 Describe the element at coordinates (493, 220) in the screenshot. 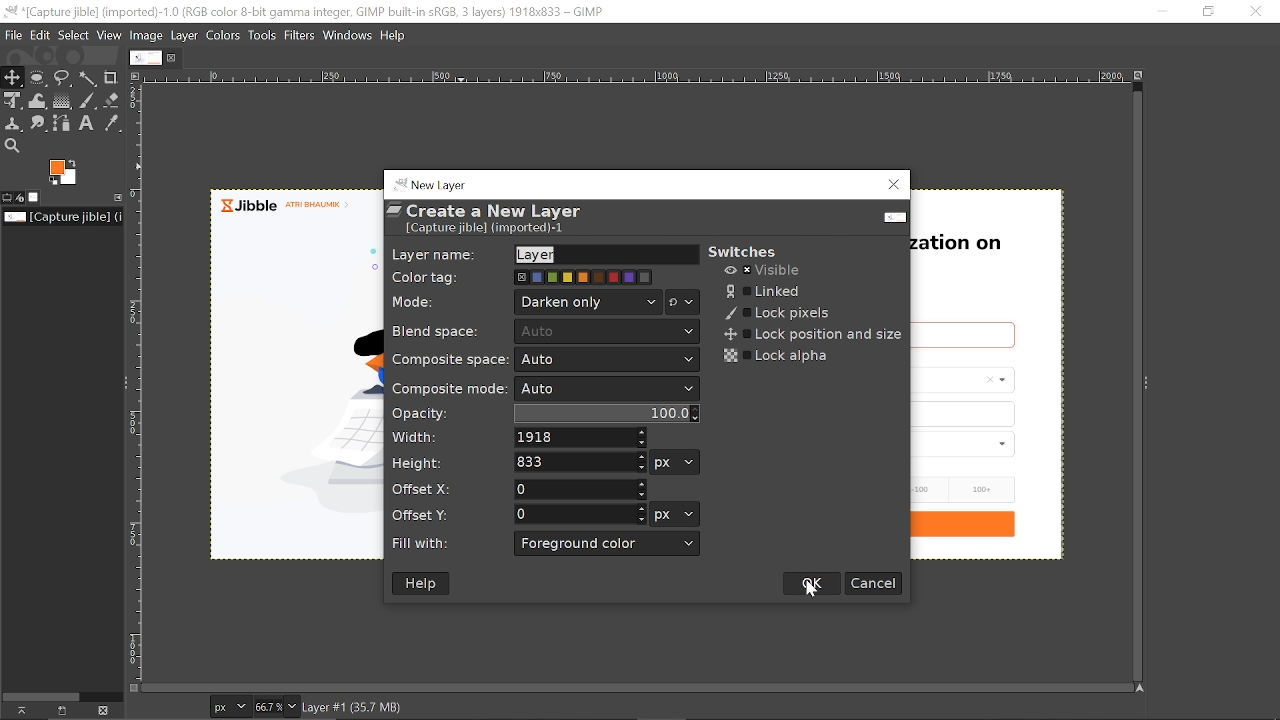

I see `create a New LayerCapture jible] (imported)-1` at that location.